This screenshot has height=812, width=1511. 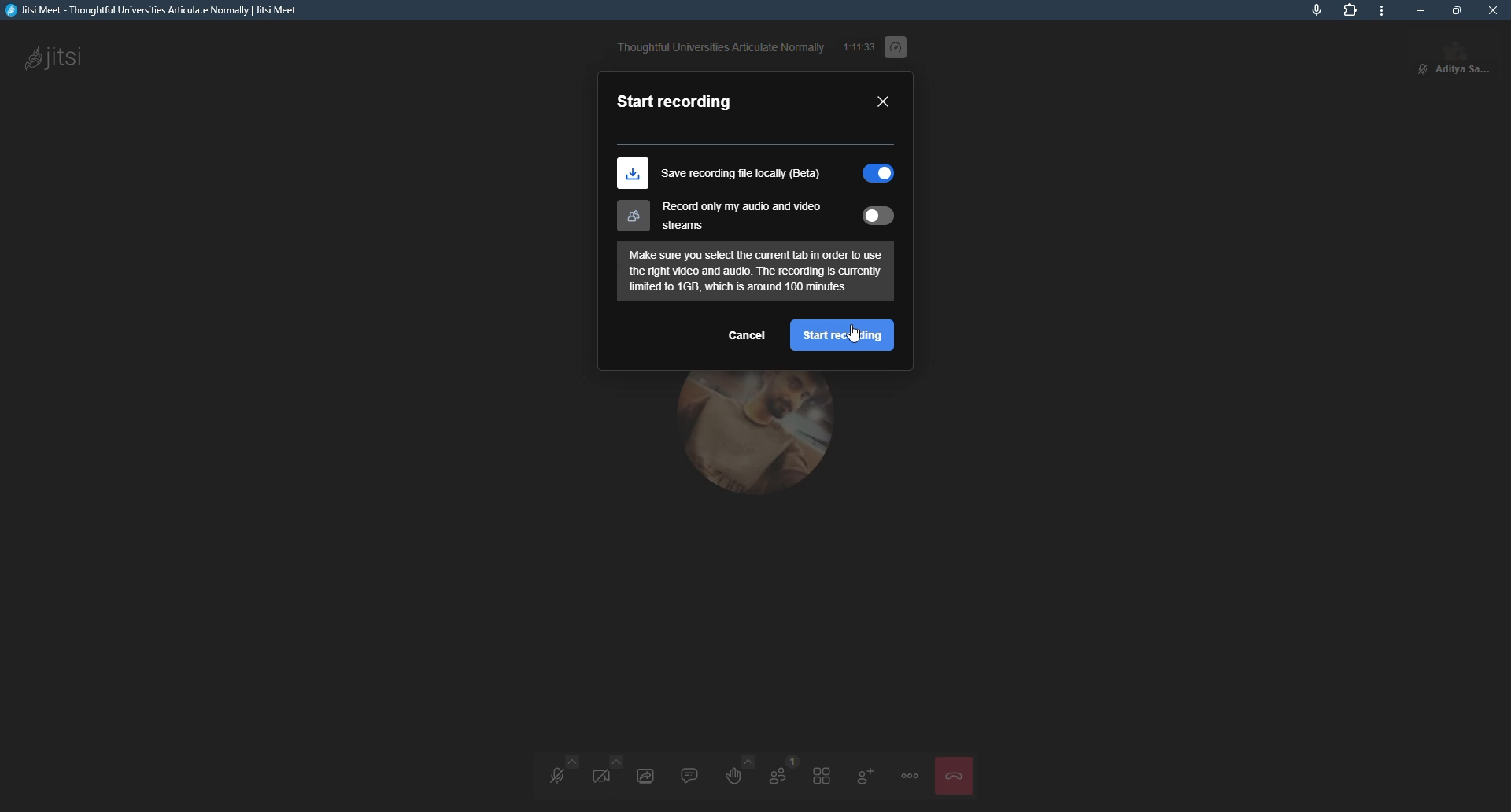 What do you see at coordinates (647, 775) in the screenshot?
I see `start screen sharing` at bounding box center [647, 775].